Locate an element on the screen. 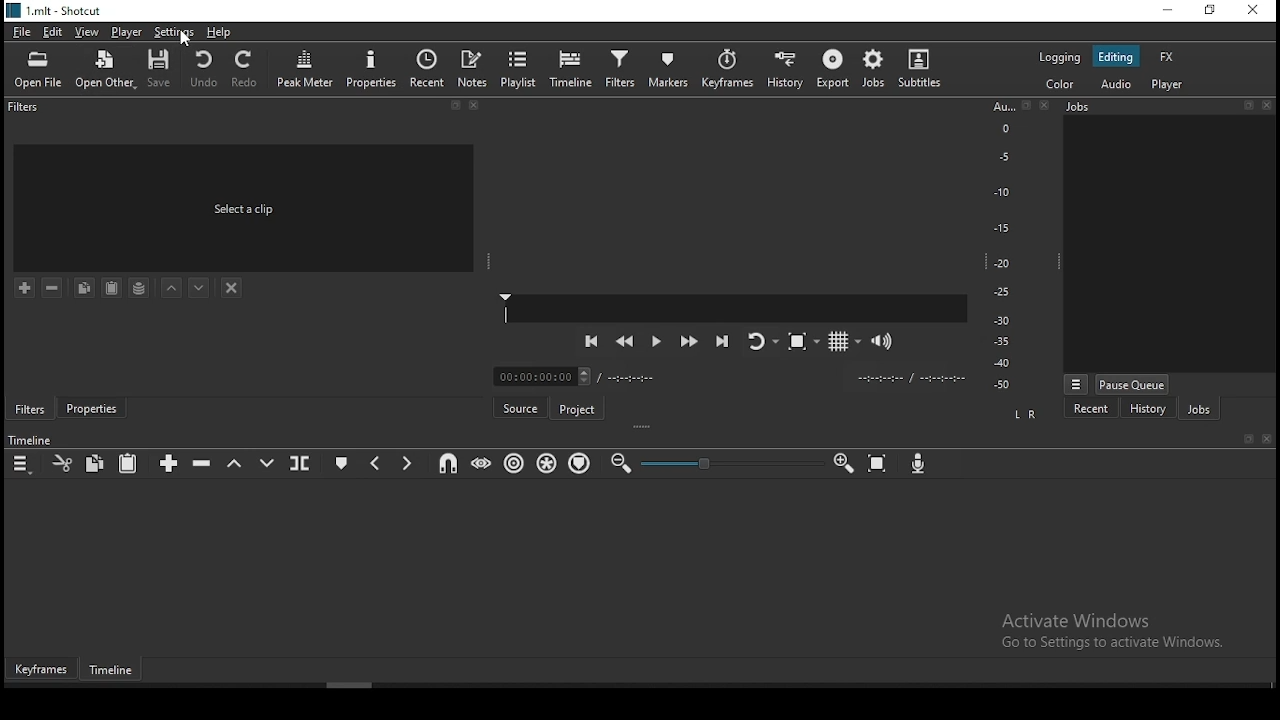 This screenshot has height=720, width=1280. color is located at coordinates (1057, 85).